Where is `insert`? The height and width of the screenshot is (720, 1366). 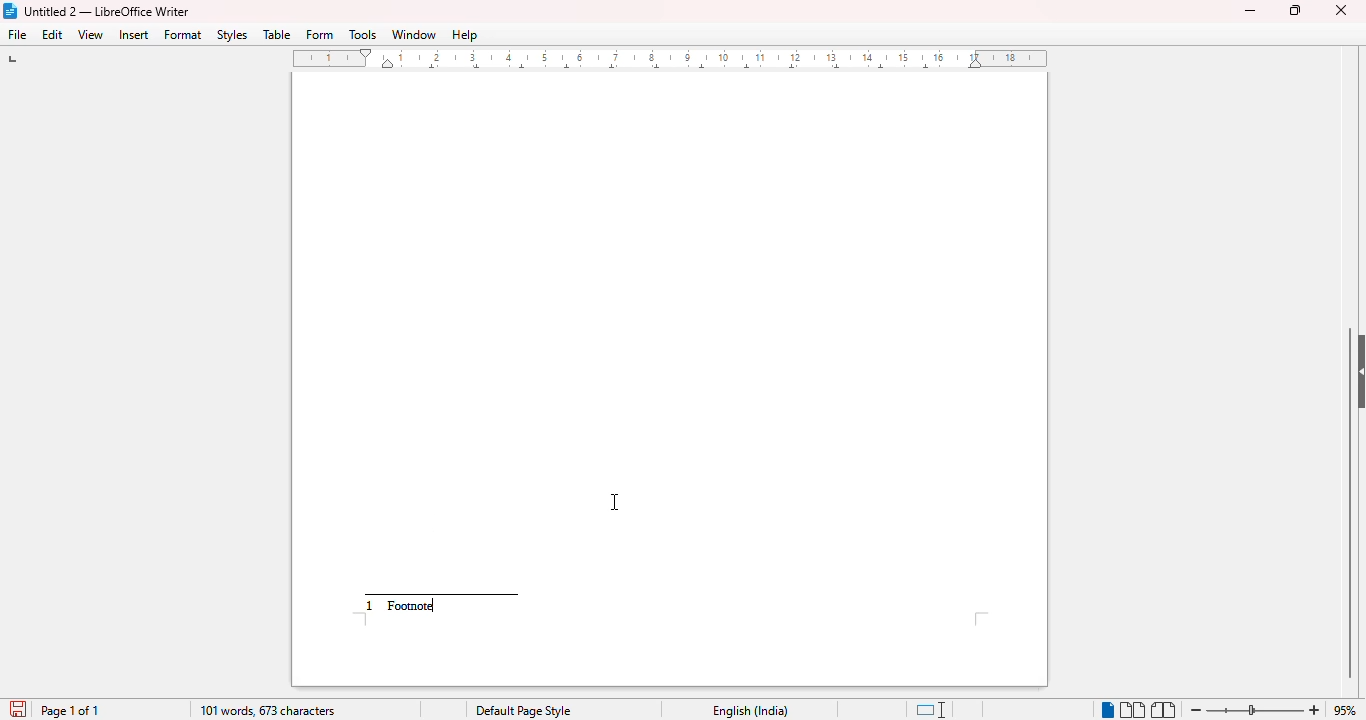 insert is located at coordinates (134, 34).